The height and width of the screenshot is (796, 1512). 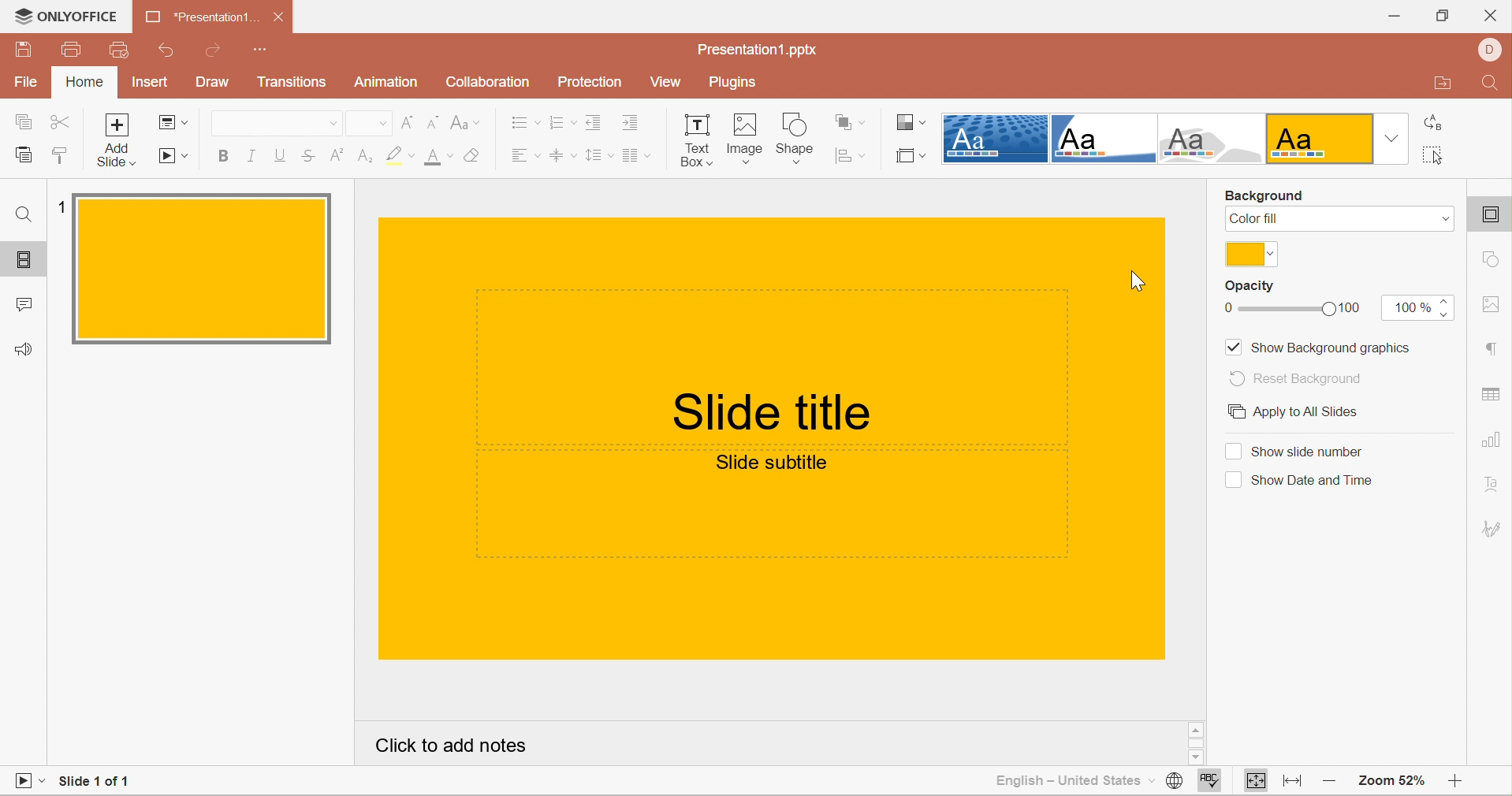 I want to click on Select all, so click(x=1435, y=158).